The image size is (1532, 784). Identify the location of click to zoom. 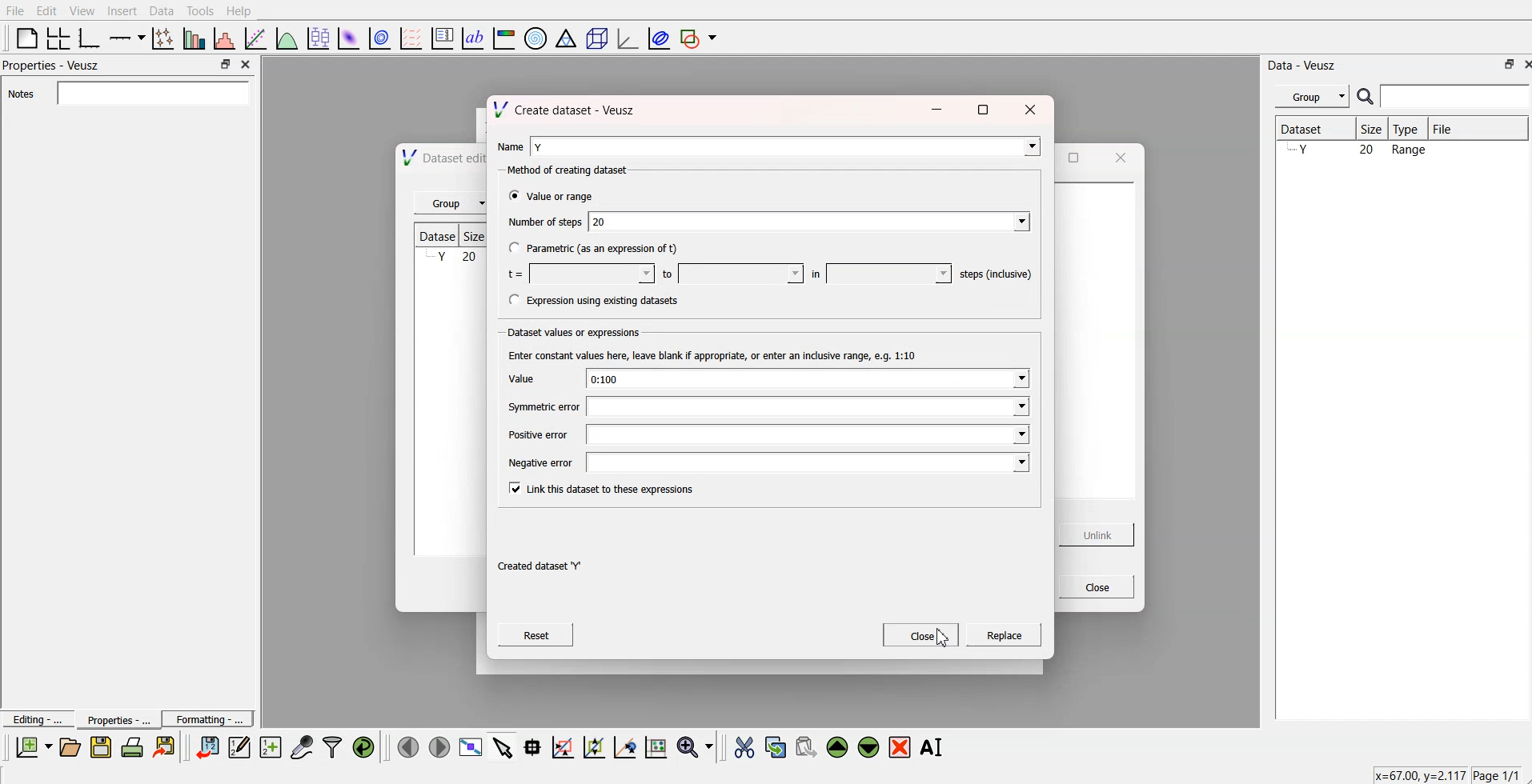
(596, 746).